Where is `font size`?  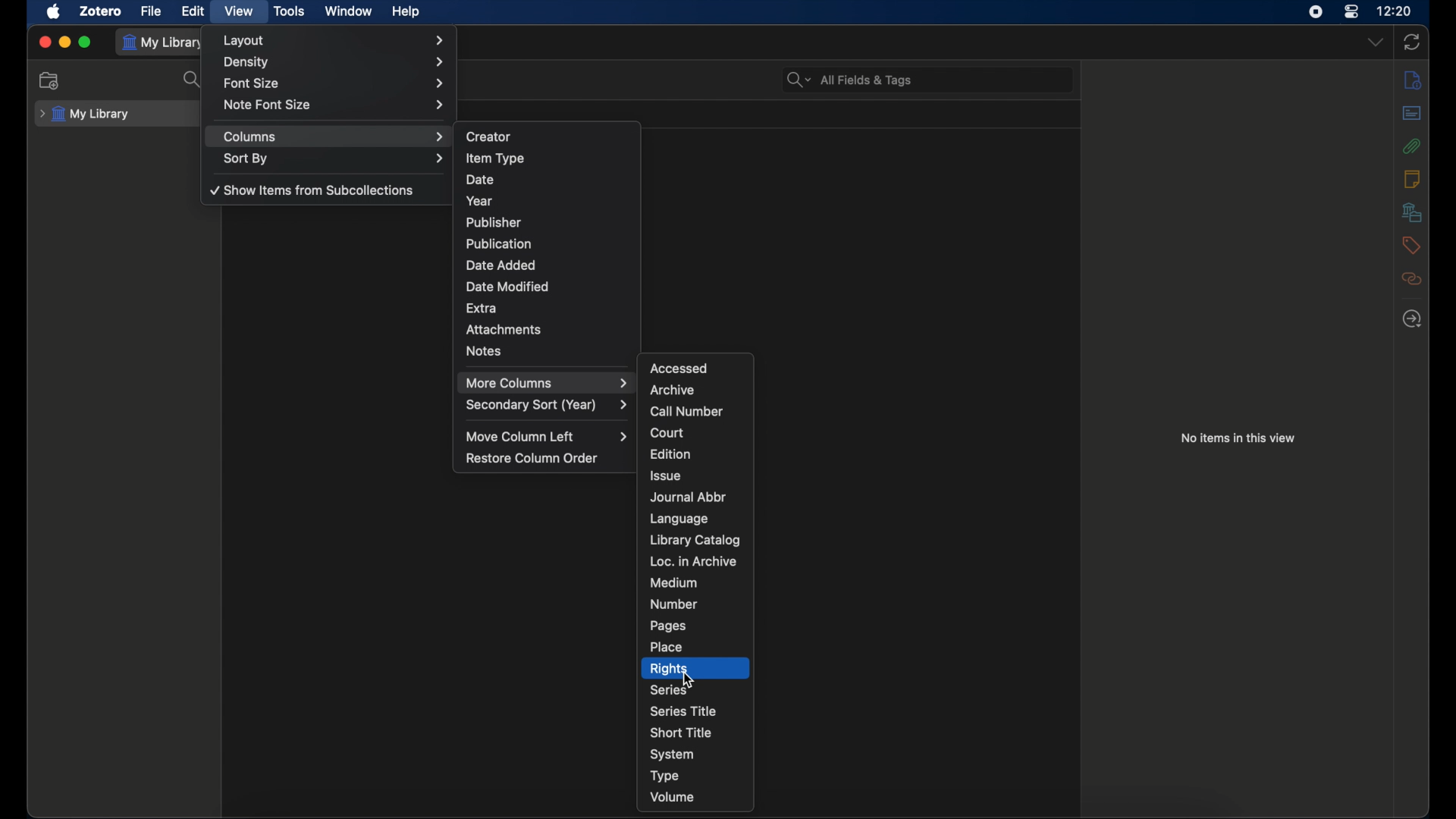
font size is located at coordinates (333, 83).